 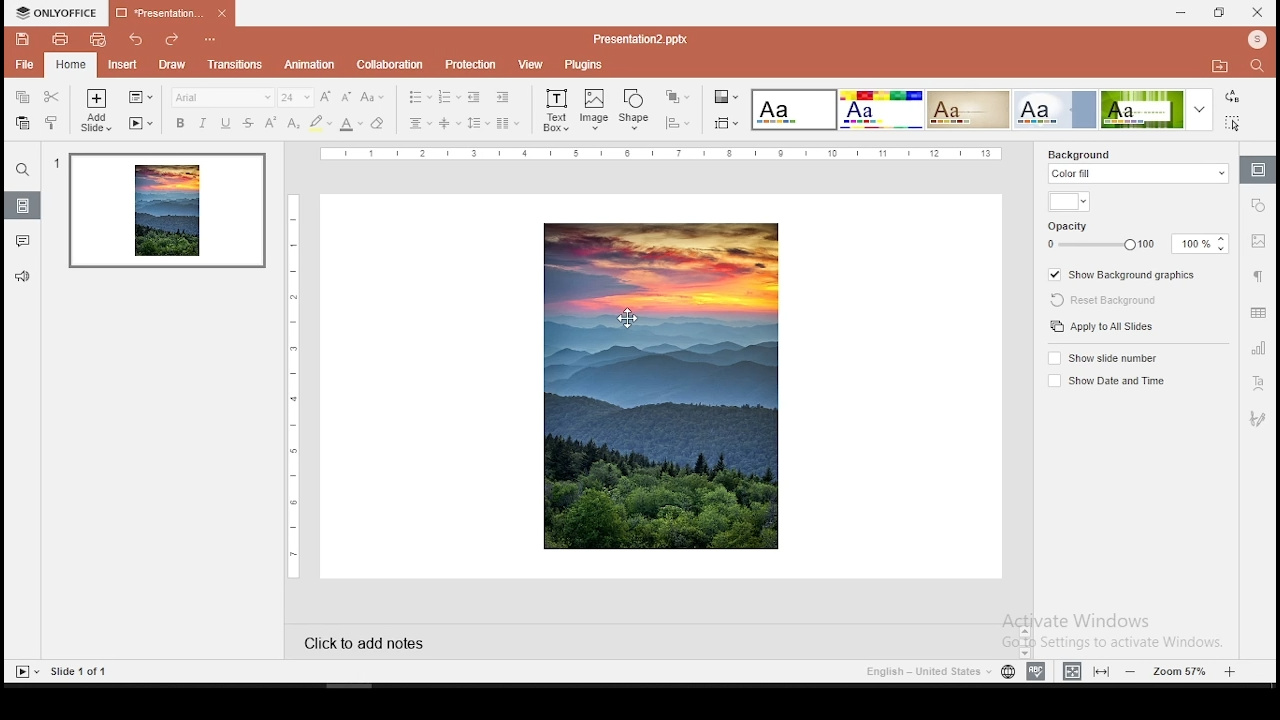 I want to click on , so click(x=1257, y=417).